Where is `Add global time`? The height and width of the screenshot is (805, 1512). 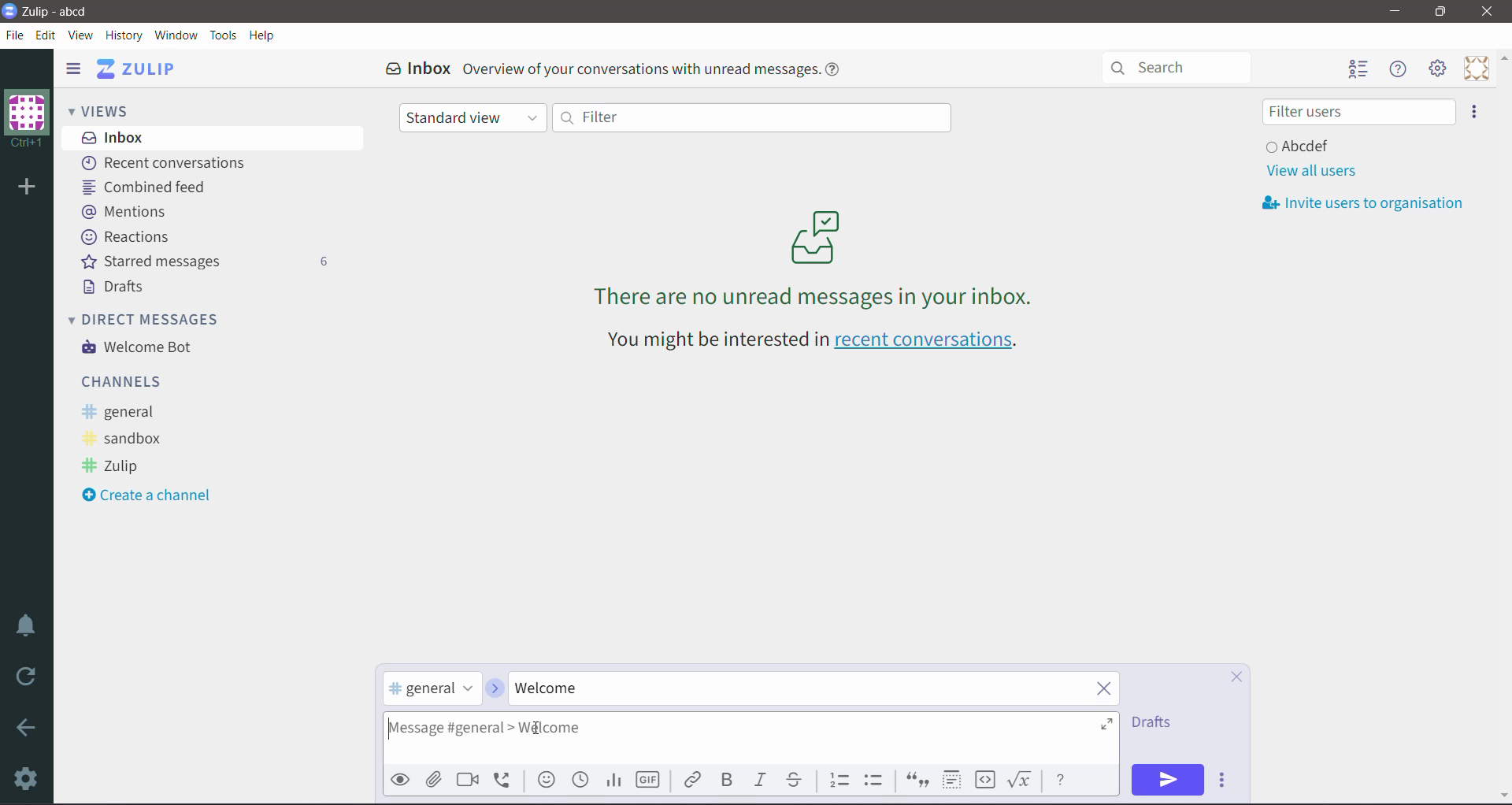
Add global time is located at coordinates (582, 780).